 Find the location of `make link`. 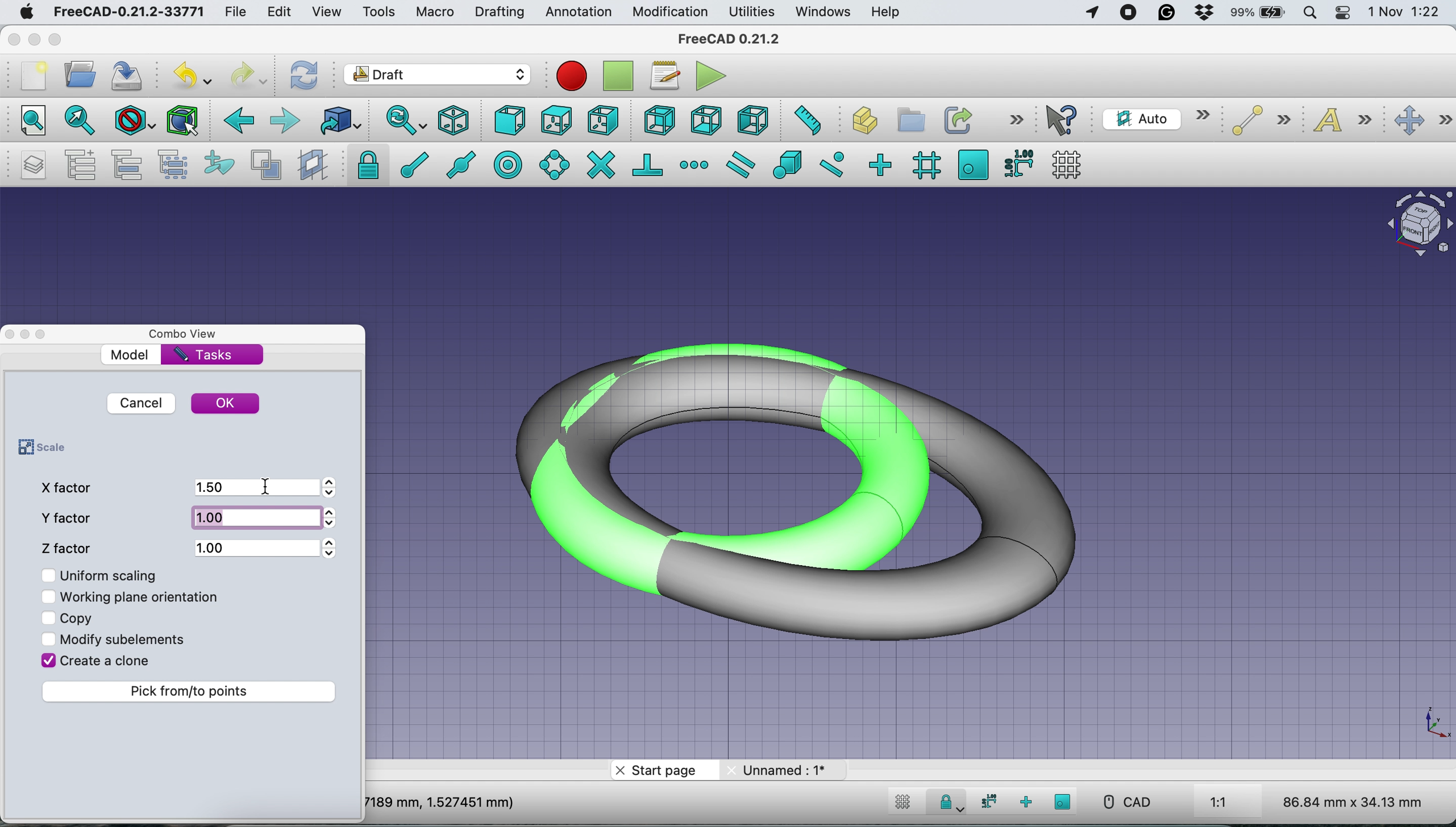

make link is located at coordinates (956, 119).